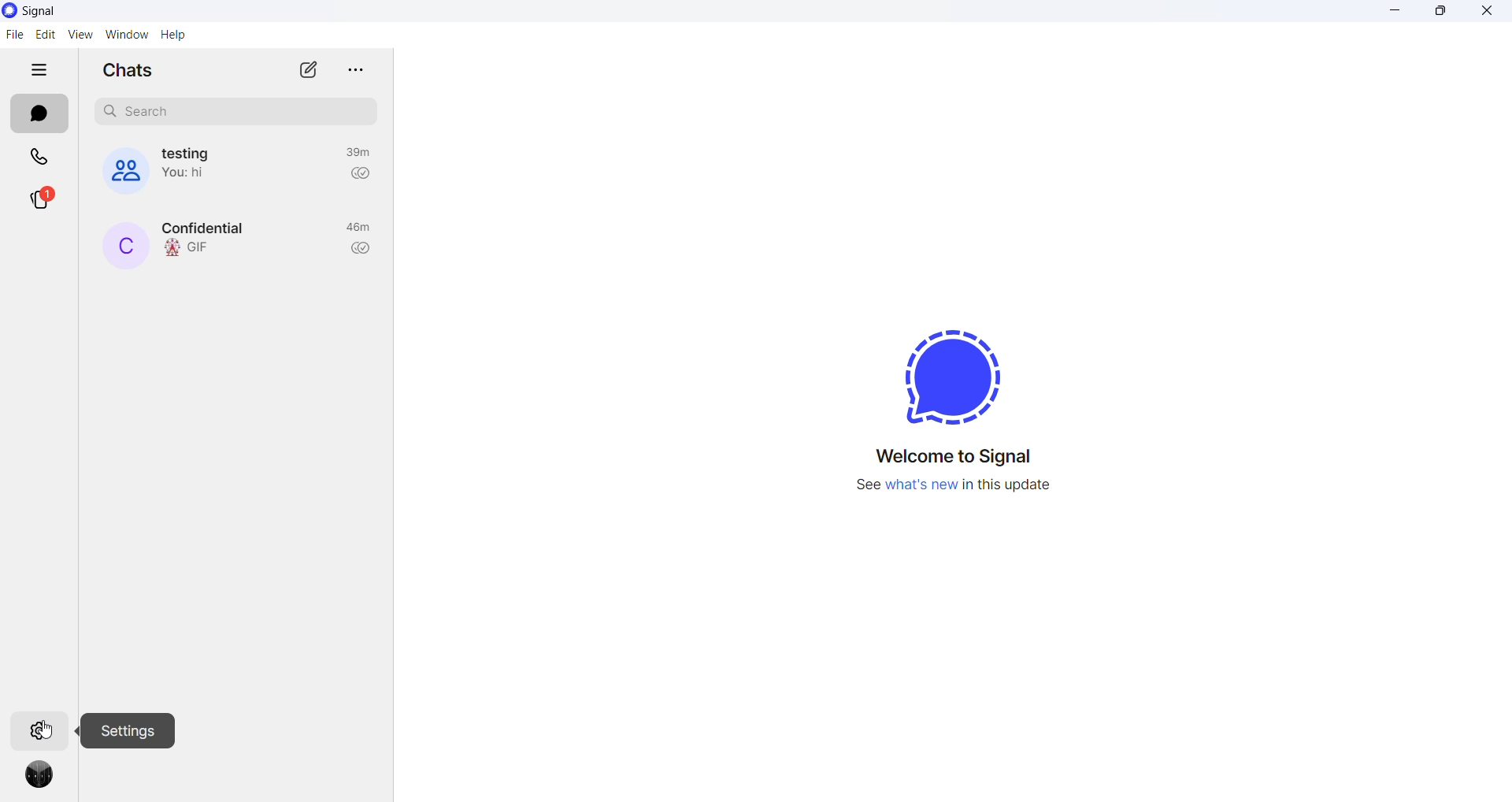 This screenshot has width=1512, height=802. Describe the element at coordinates (125, 35) in the screenshot. I see `window` at that location.